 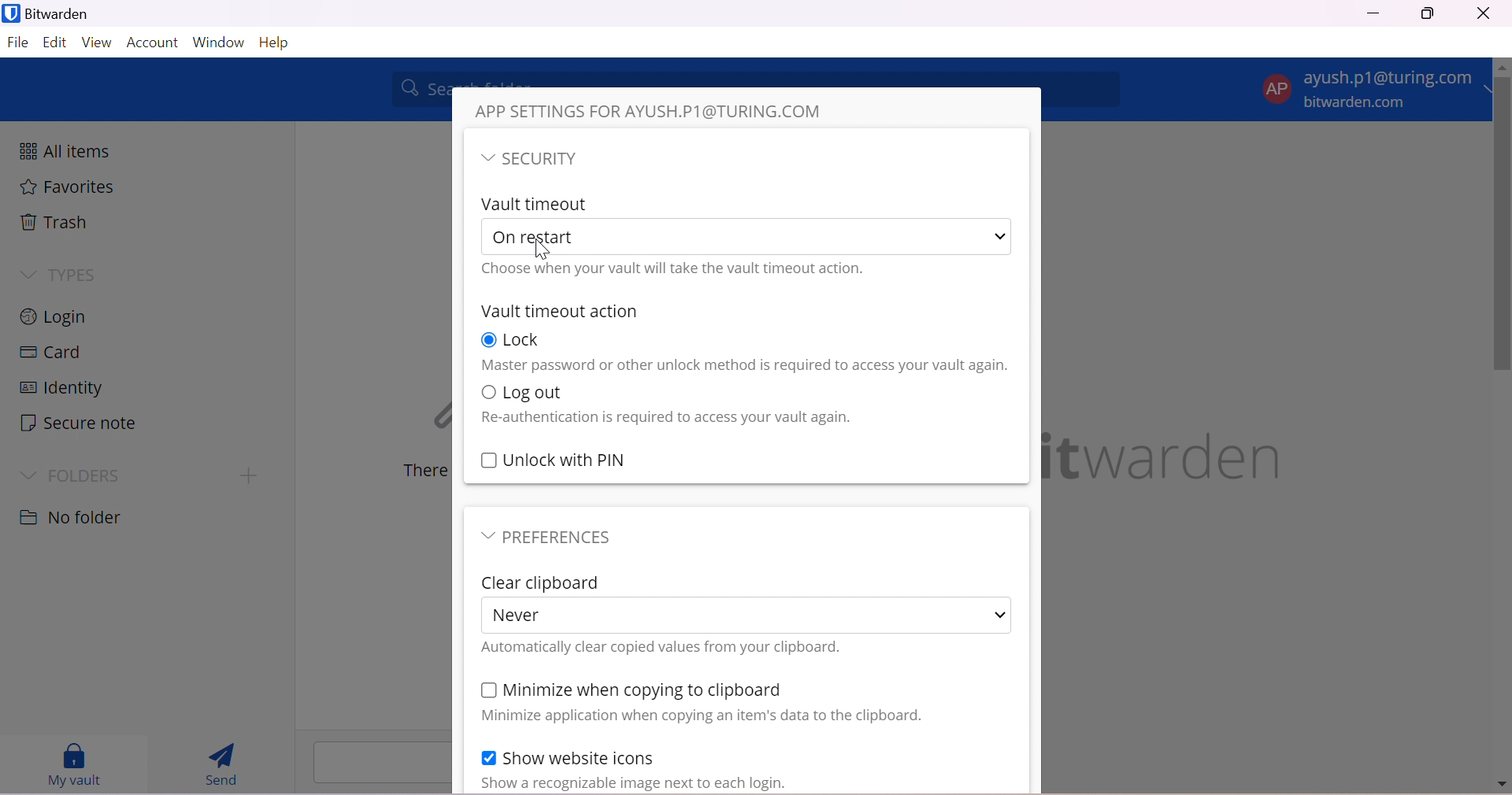 I want to click on Minimize, so click(x=1373, y=12).